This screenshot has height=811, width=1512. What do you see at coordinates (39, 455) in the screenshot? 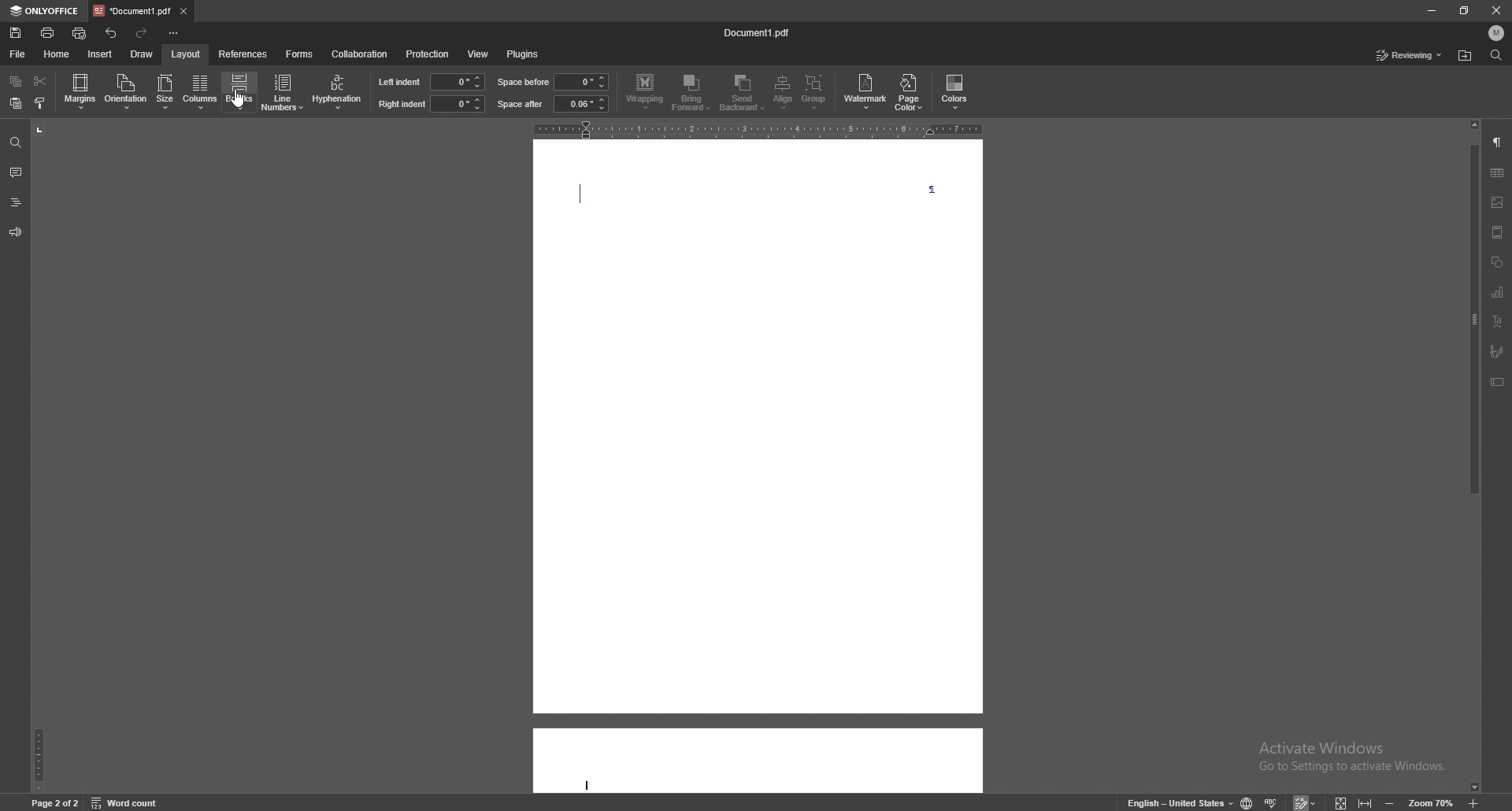
I see `vertical scale` at bounding box center [39, 455].